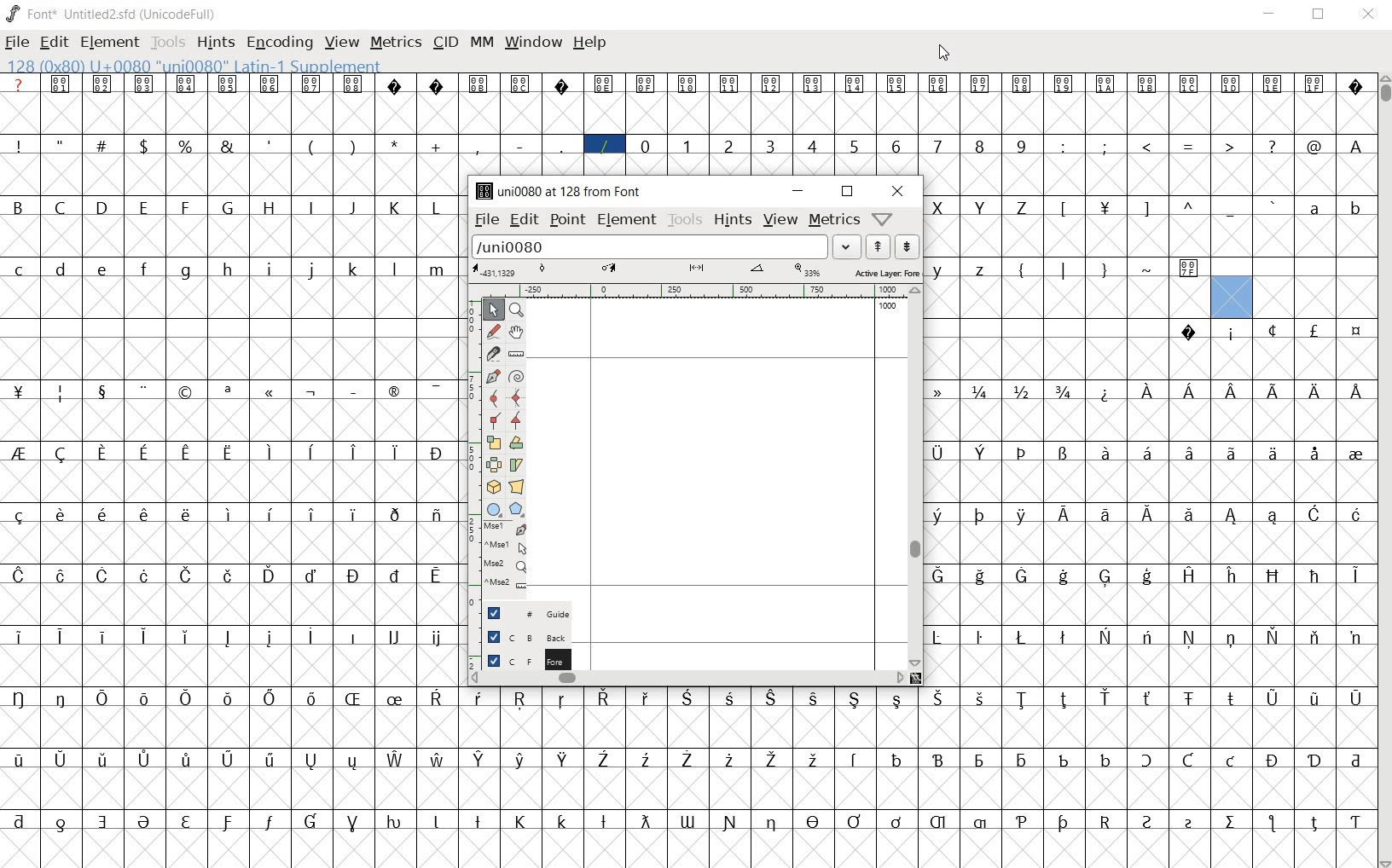 The width and height of the screenshot is (1392, 868). I want to click on glyph, so click(1314, 701).